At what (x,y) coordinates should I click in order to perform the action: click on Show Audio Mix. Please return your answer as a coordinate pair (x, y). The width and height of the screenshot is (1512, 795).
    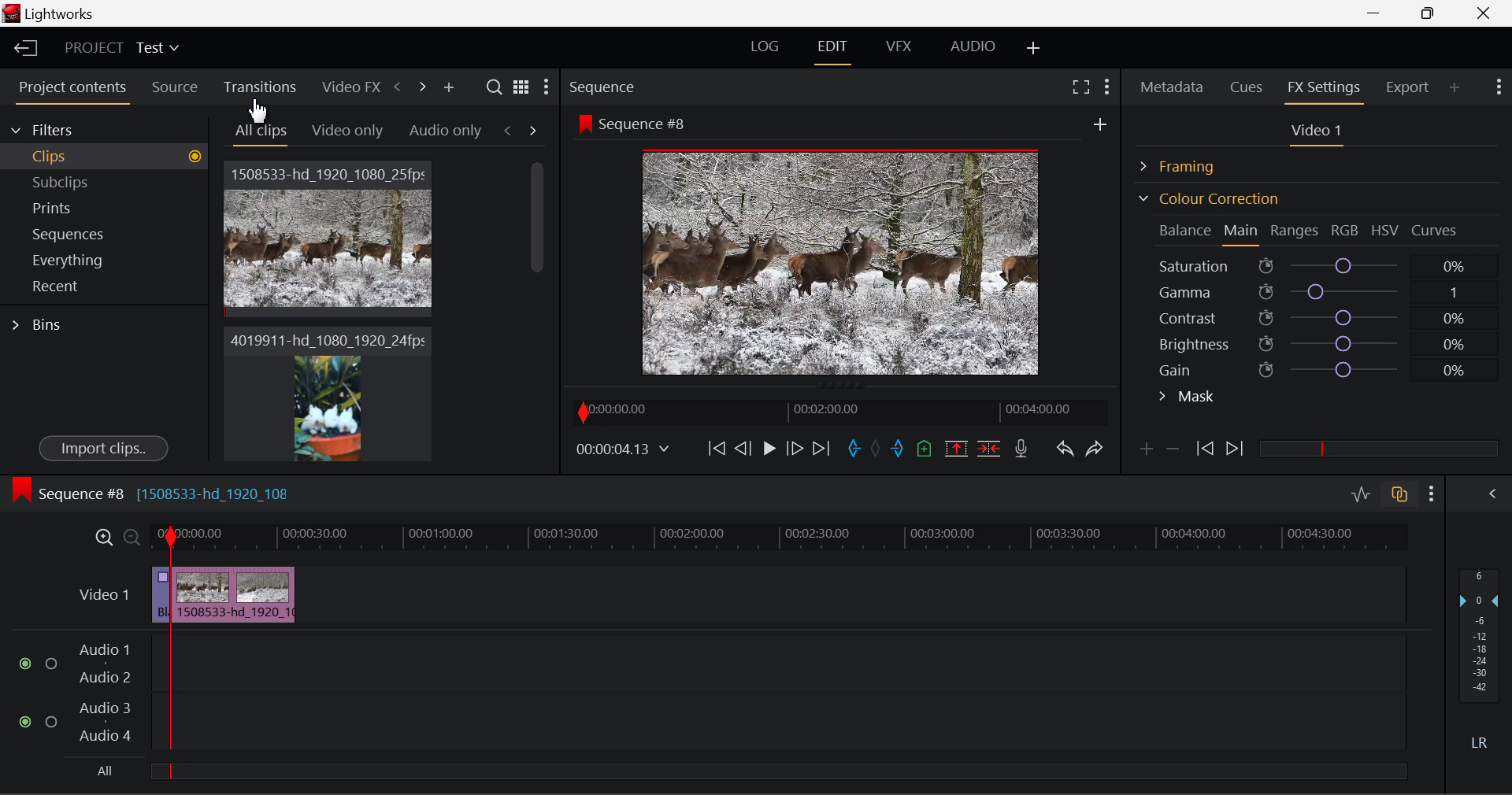
    Looking at the image, I should click on (1494, 492).